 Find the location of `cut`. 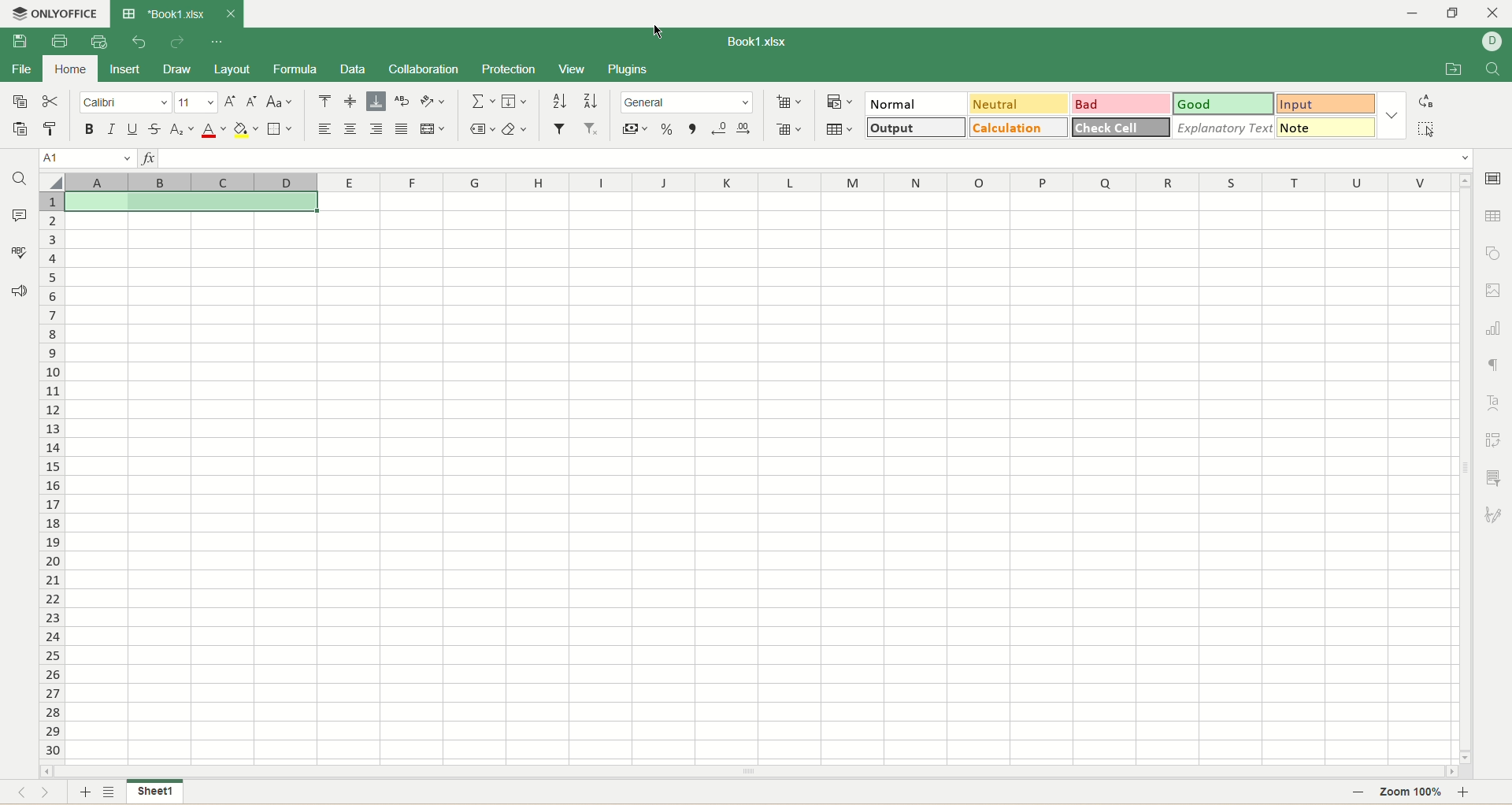

cut is located at coordinates (54, 101).